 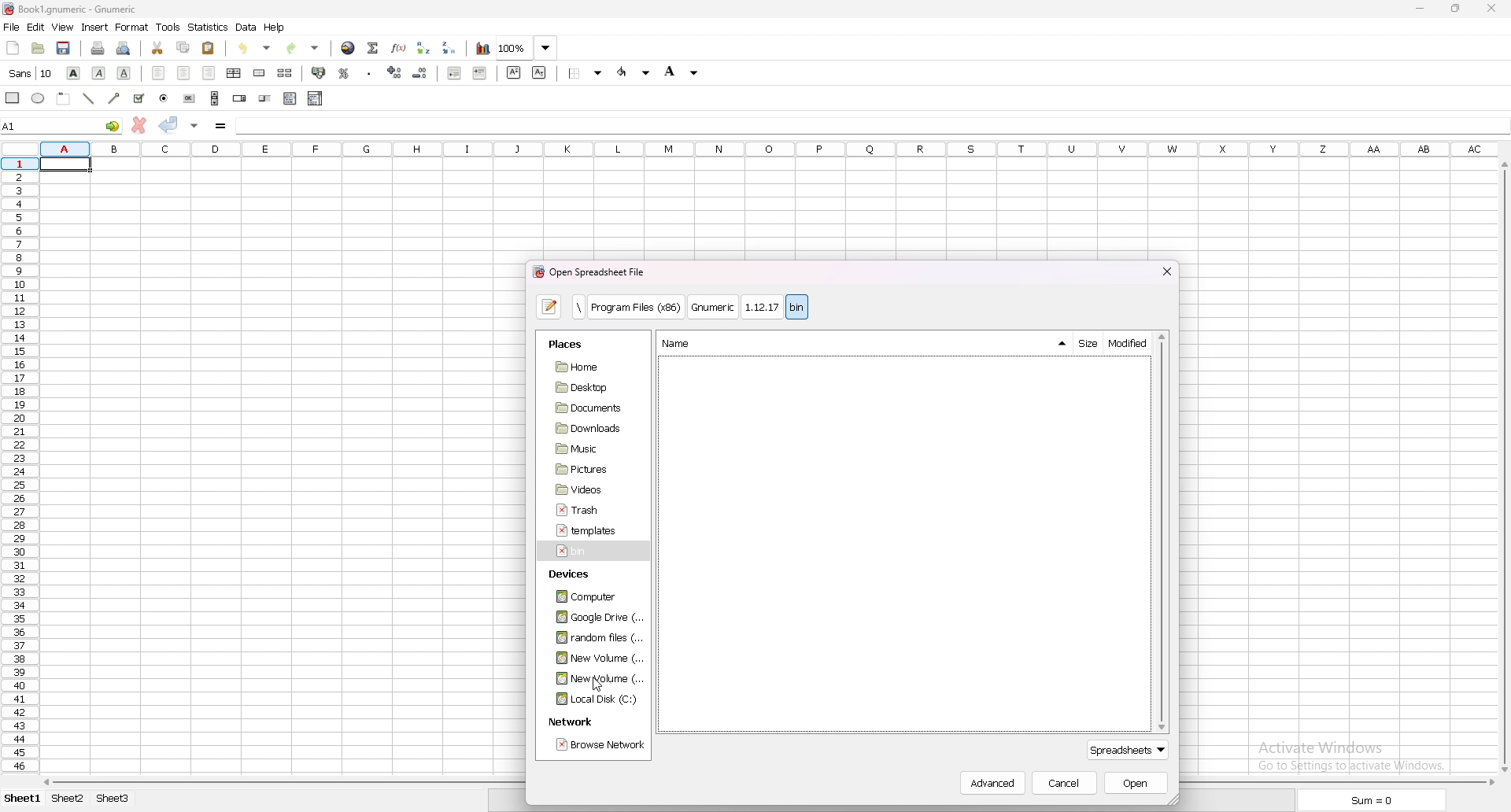 What do you see at coordinates (247, 27) in the screenshot?
I see `data` at bounding box center [247, 27].